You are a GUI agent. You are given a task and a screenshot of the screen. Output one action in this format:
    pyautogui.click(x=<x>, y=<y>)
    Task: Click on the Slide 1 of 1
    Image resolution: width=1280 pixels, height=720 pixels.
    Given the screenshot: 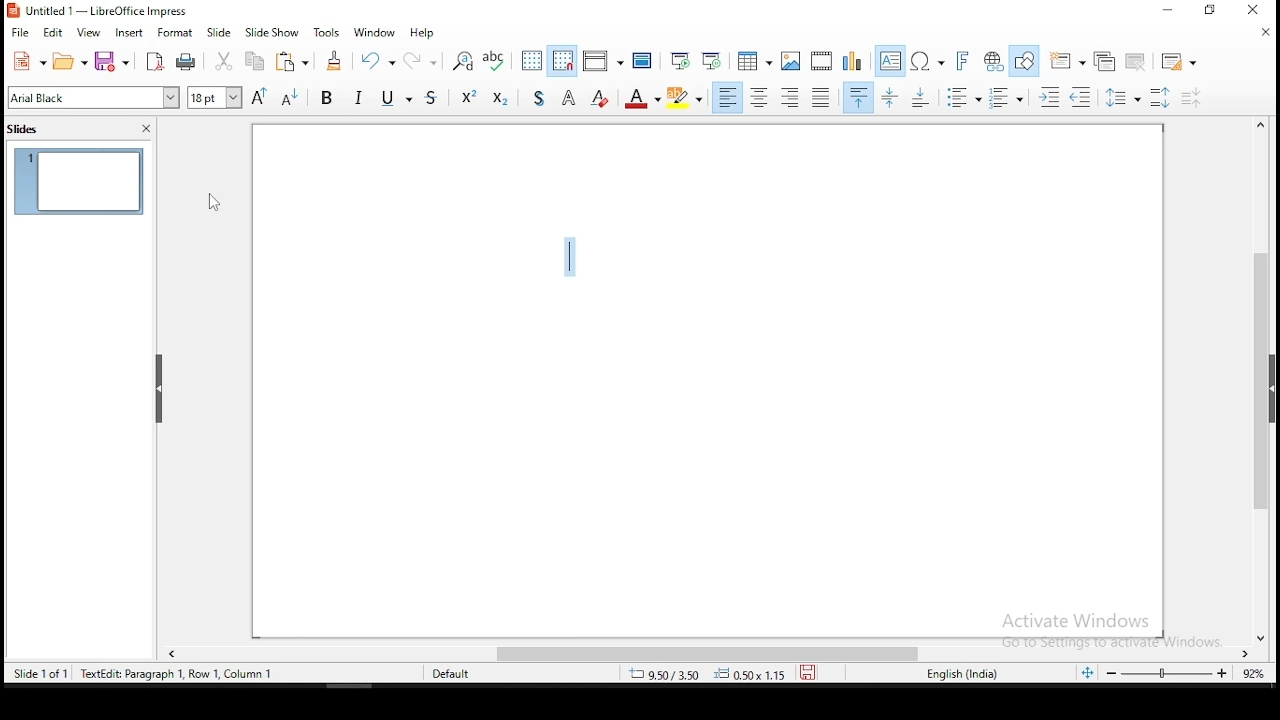 What is the action you would take?
    pyautogui.click(x=138, y=672)
    